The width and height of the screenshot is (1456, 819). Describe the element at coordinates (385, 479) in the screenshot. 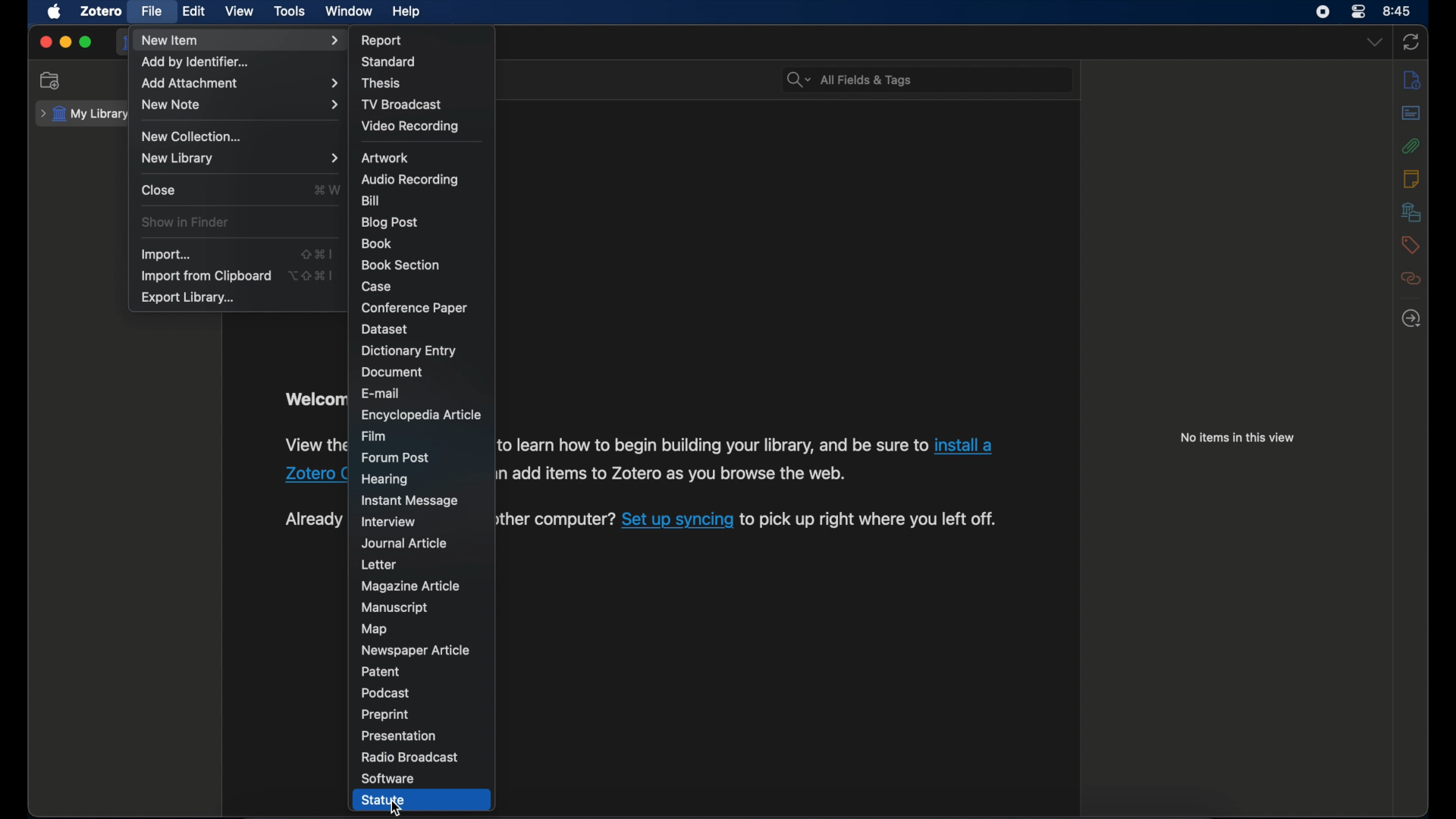

I see `hearing` at that location.